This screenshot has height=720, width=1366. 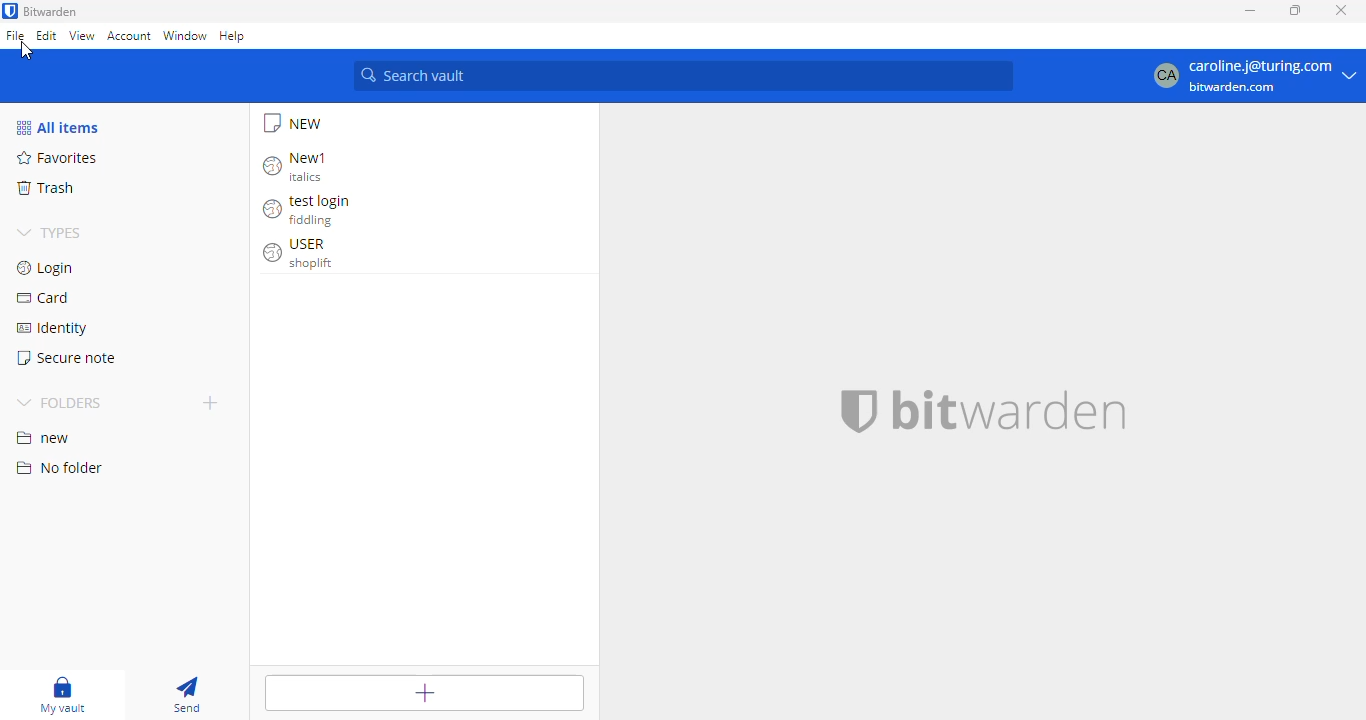 What do you see at coordinates (51, 11) in the screenshot?
I see `bitwarden` at bounding box center [51, 11].